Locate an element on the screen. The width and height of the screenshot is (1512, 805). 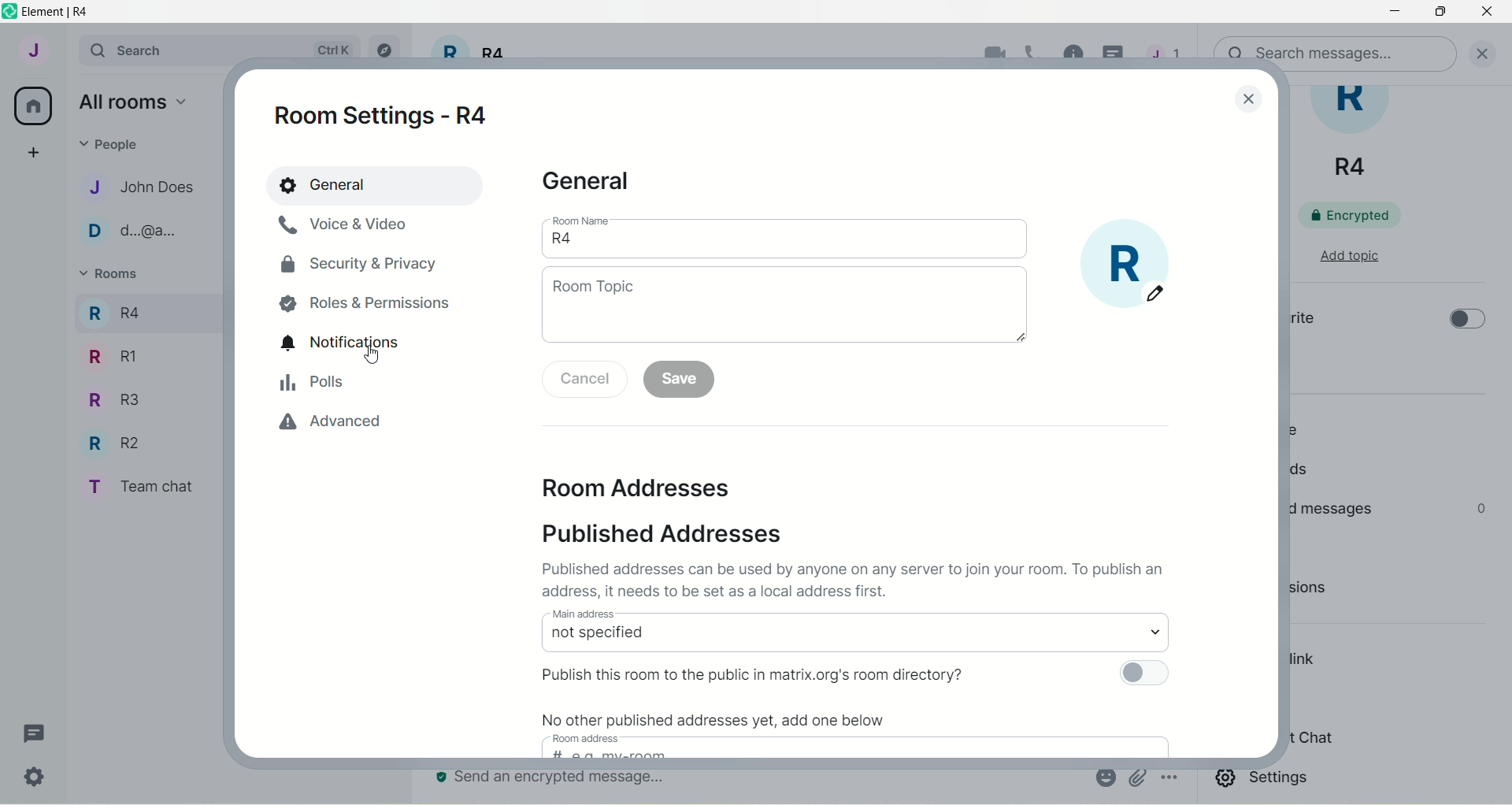
advanced is located at coordinates (337, 423).